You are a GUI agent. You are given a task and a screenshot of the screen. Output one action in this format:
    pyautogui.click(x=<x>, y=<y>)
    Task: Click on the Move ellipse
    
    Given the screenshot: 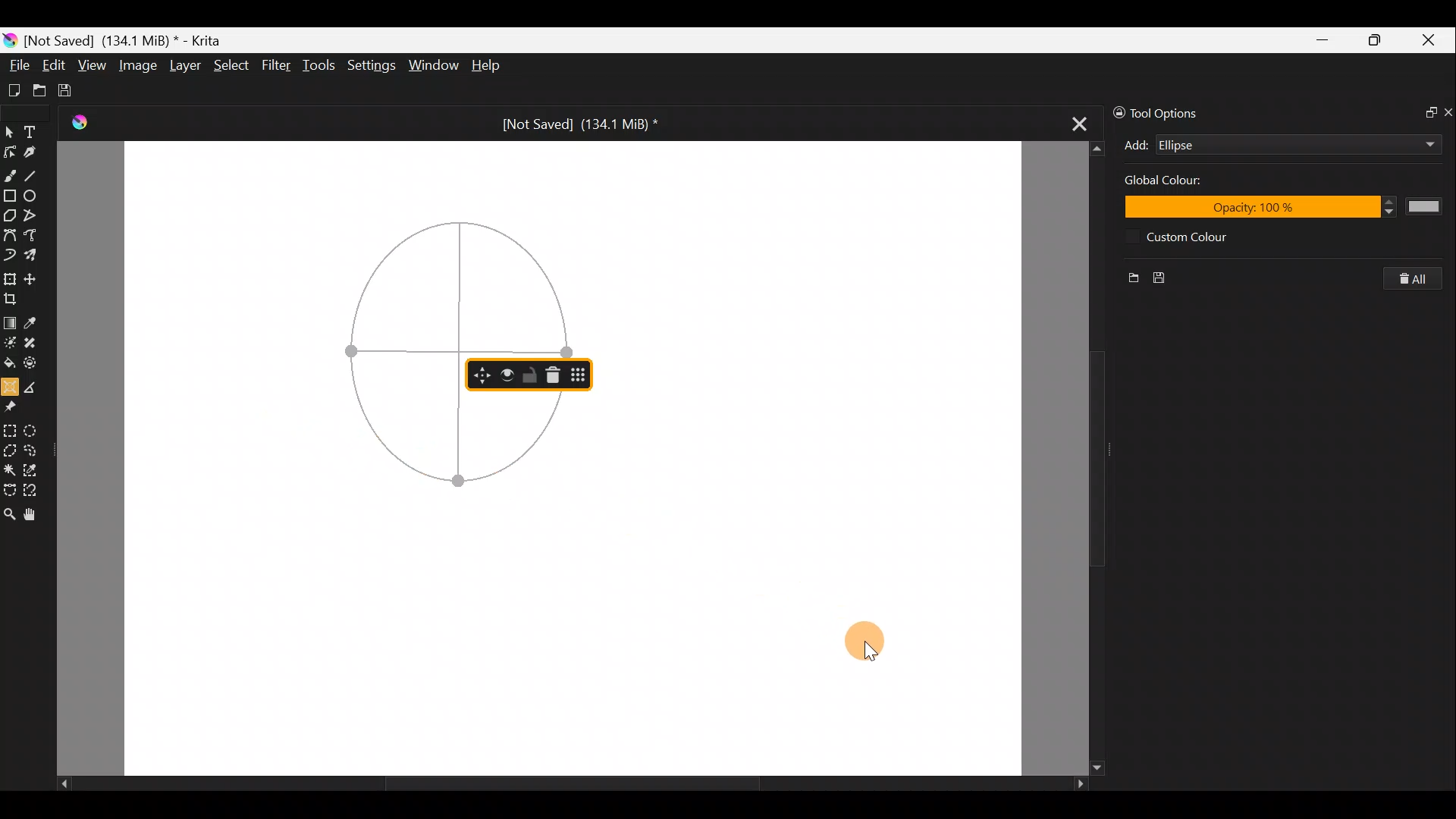 What is the action you would take?
    pyautogui.click(x=479, y=375)
    